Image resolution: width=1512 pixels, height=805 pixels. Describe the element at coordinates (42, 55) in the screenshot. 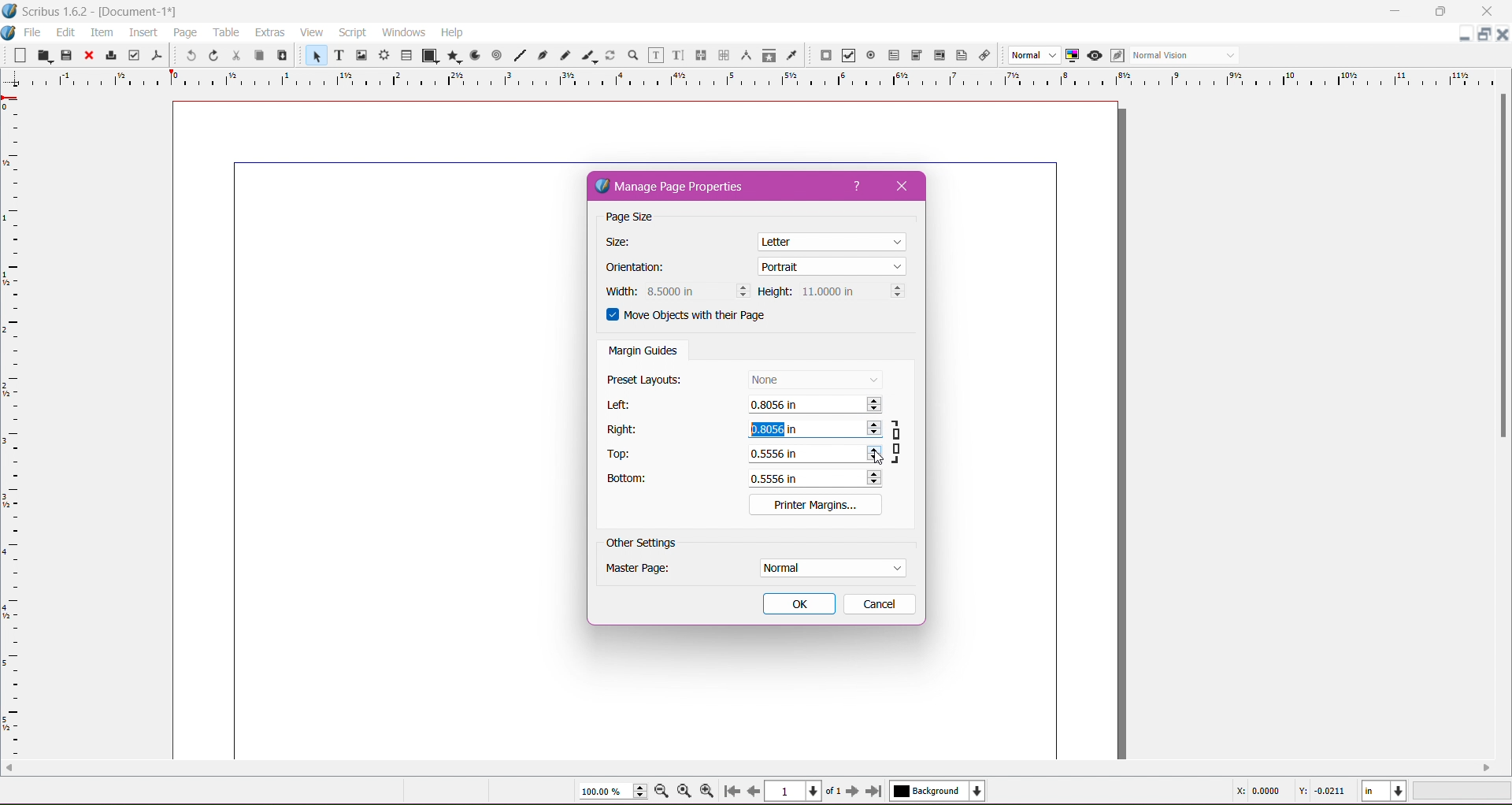

I see `Open` at that location.